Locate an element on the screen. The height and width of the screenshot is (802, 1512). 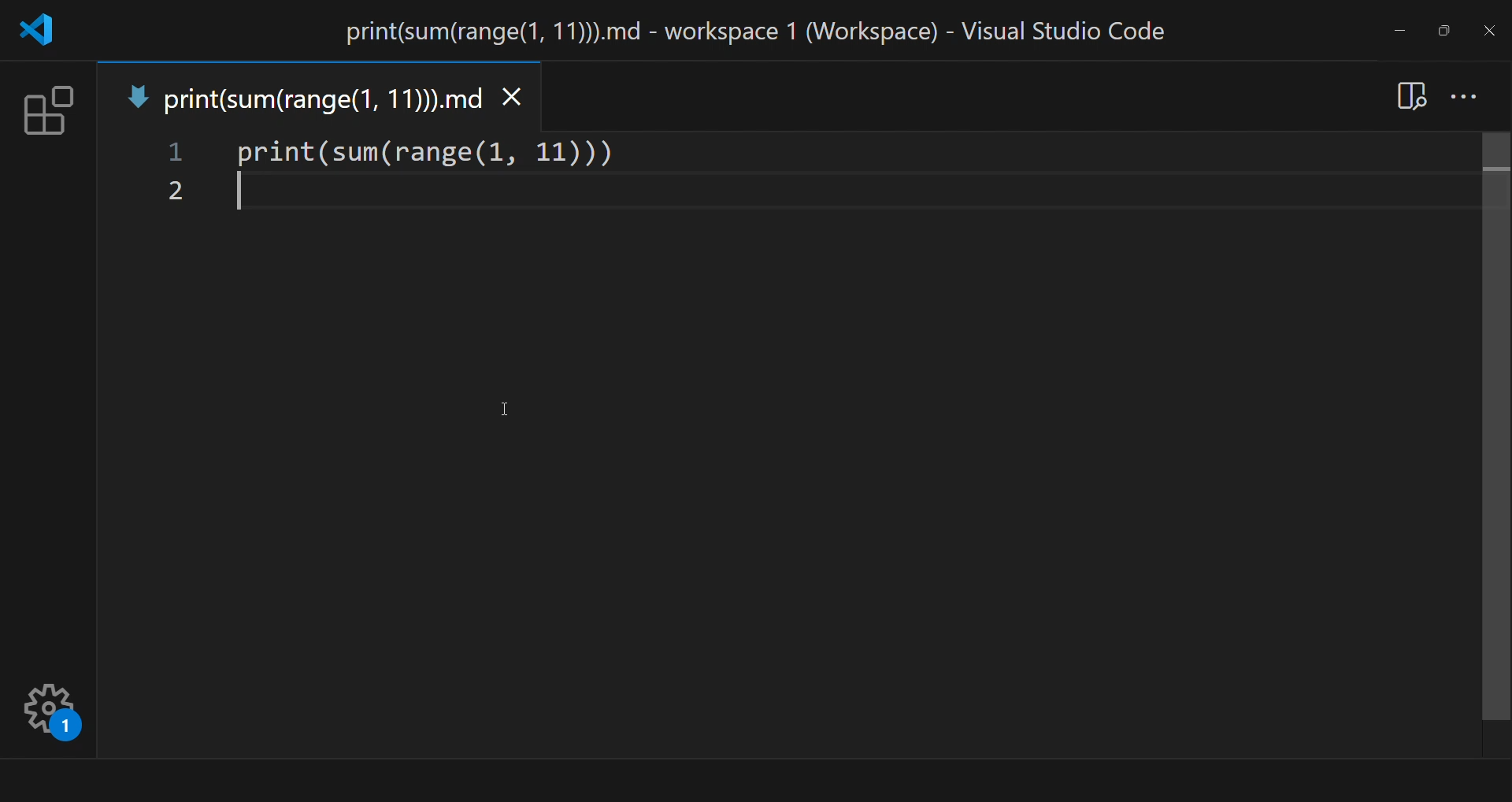
extension is located at coordinates (48, 110).